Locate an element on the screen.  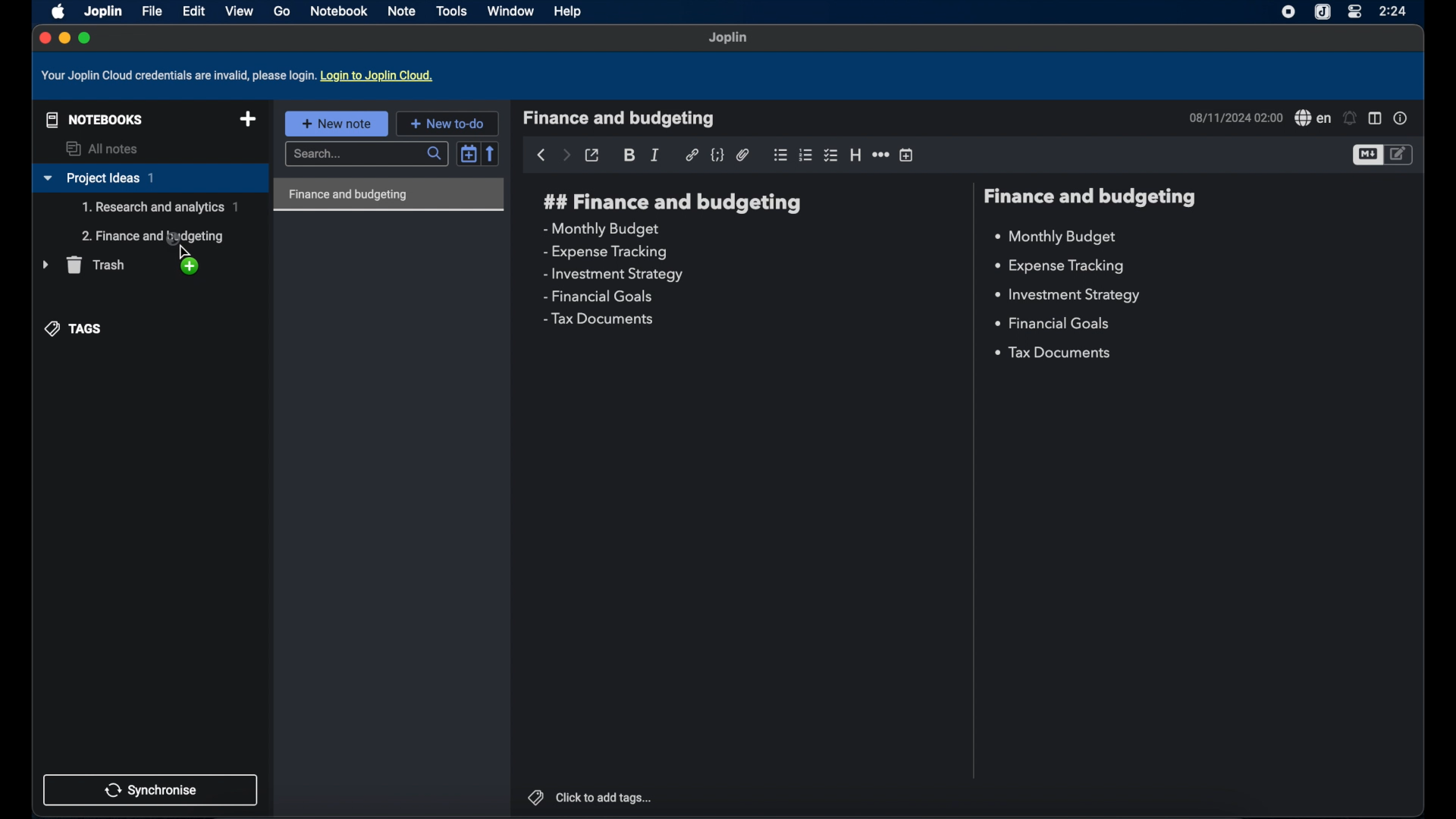
file is located at coordinates (152, 11).